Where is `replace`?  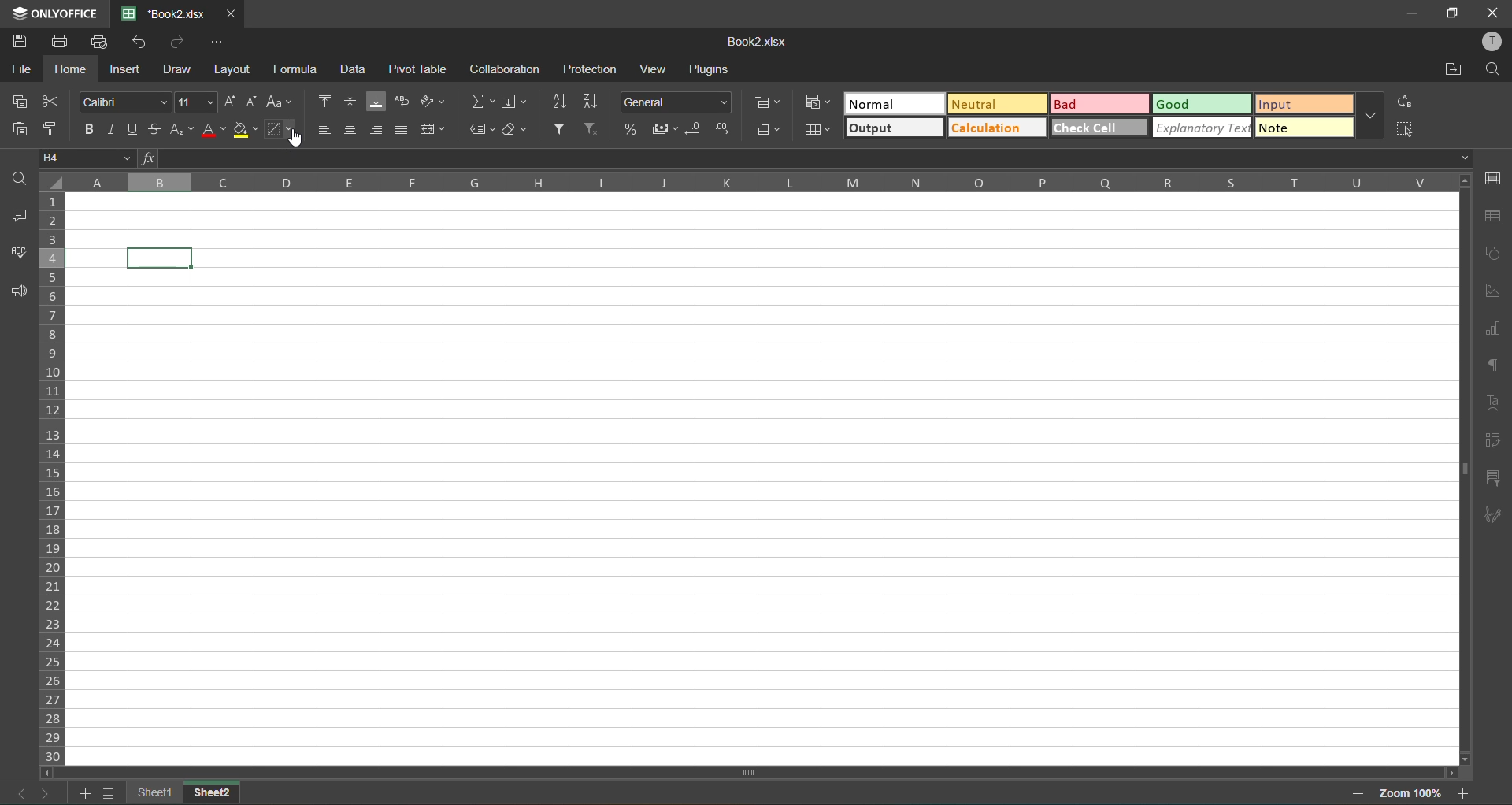 replace is located at coordinates (1404, 99).